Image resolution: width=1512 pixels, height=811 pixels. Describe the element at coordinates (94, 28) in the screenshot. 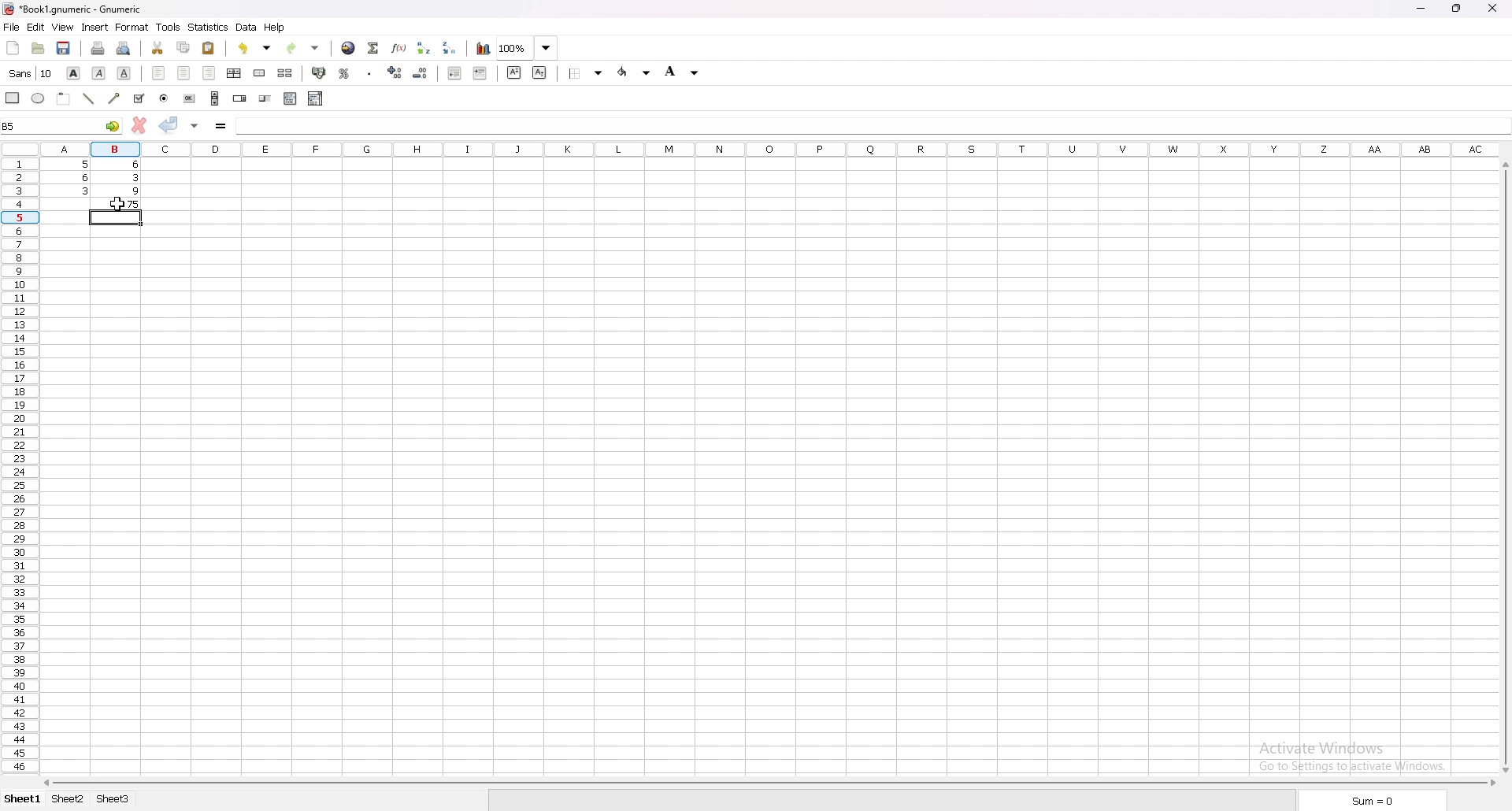

I see `insert` at that location.